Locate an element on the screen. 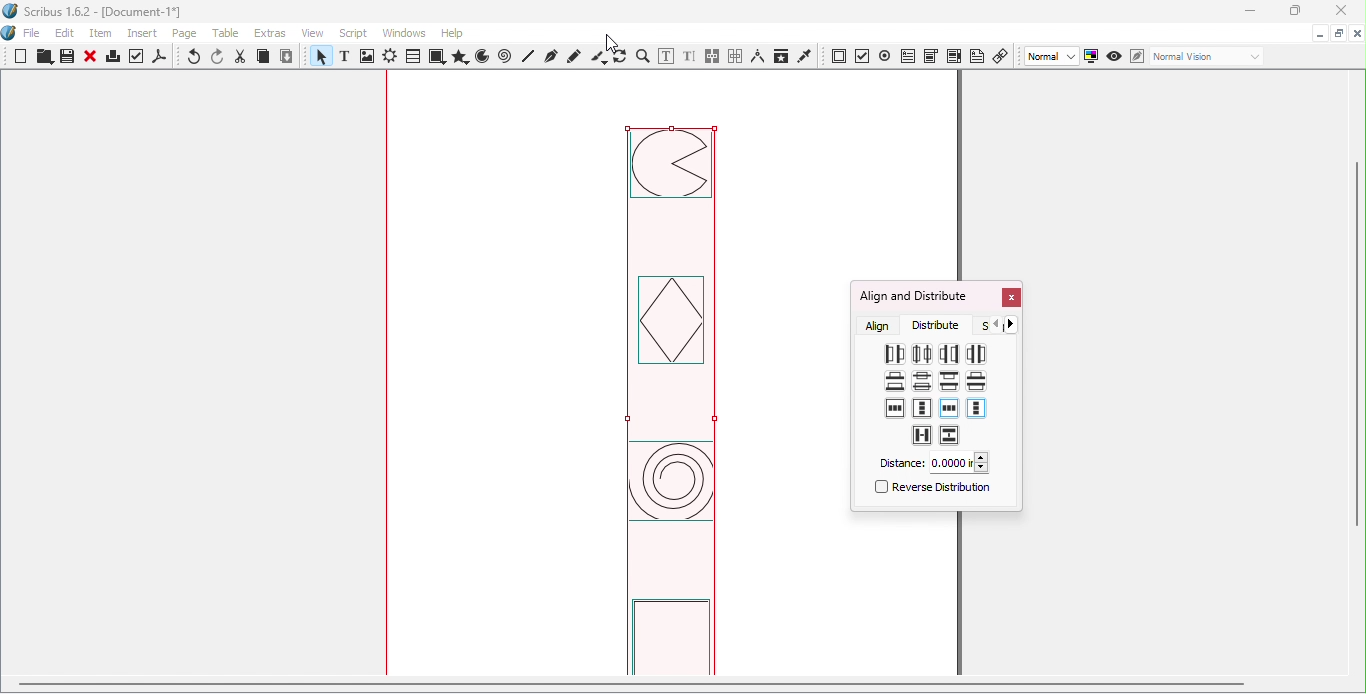  New is located at coordinates (21, 56).